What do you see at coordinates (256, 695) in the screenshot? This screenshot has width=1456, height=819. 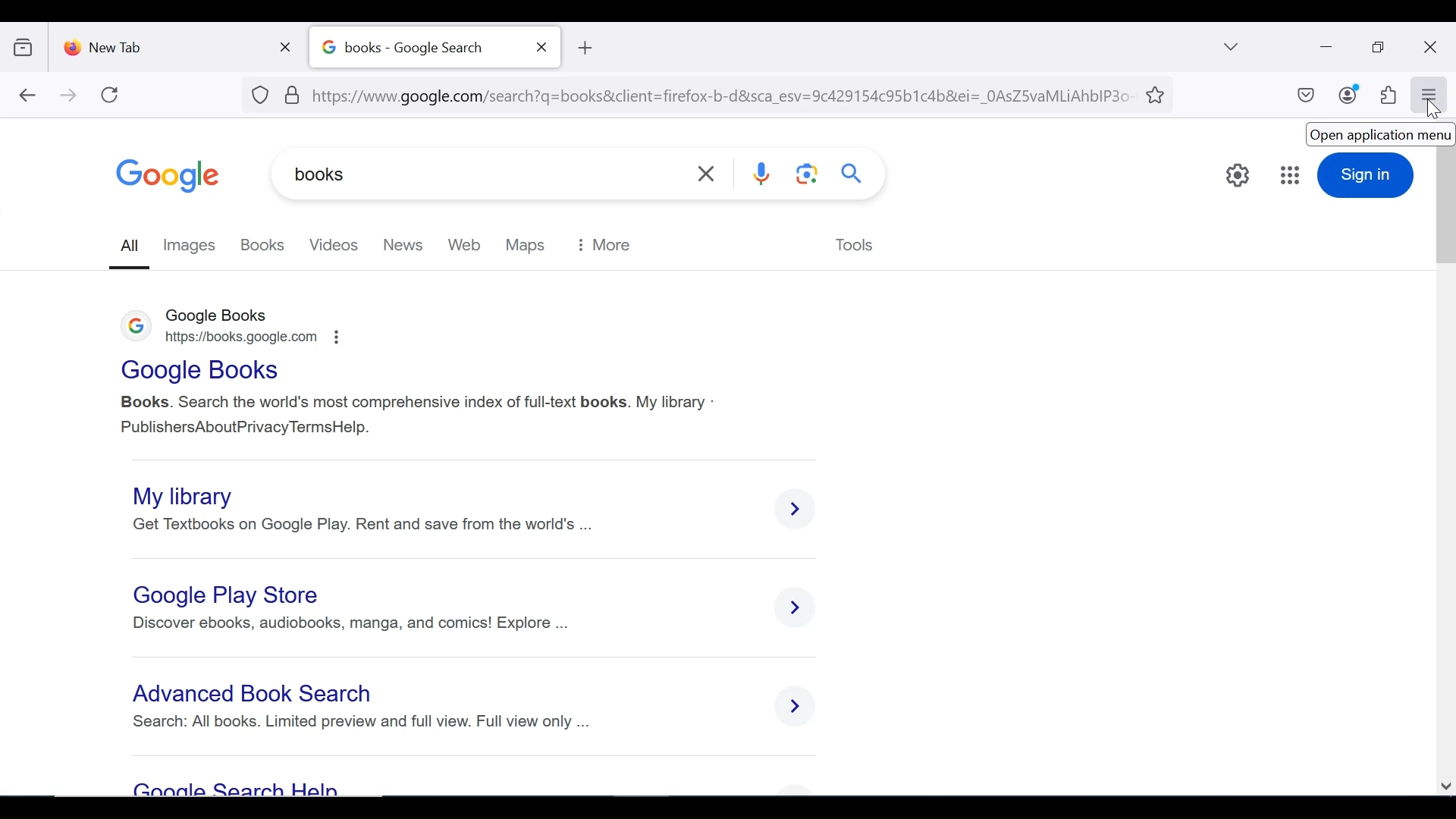 I see `Advanced BooK search` at bounding box center [256, 695].